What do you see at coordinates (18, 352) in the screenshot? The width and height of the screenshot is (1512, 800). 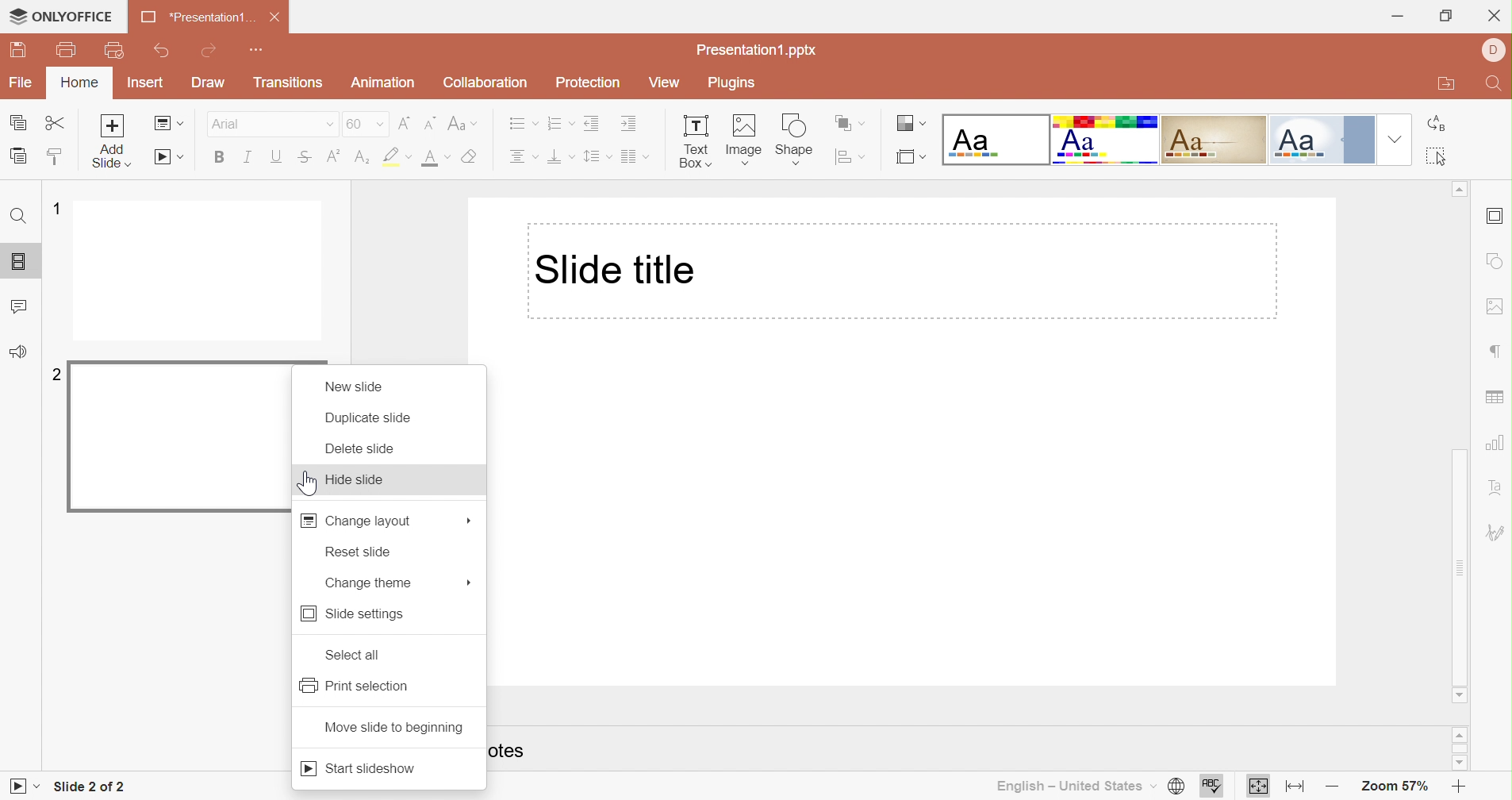 I see `Feedback & Support` at bounding box center [18, 352].